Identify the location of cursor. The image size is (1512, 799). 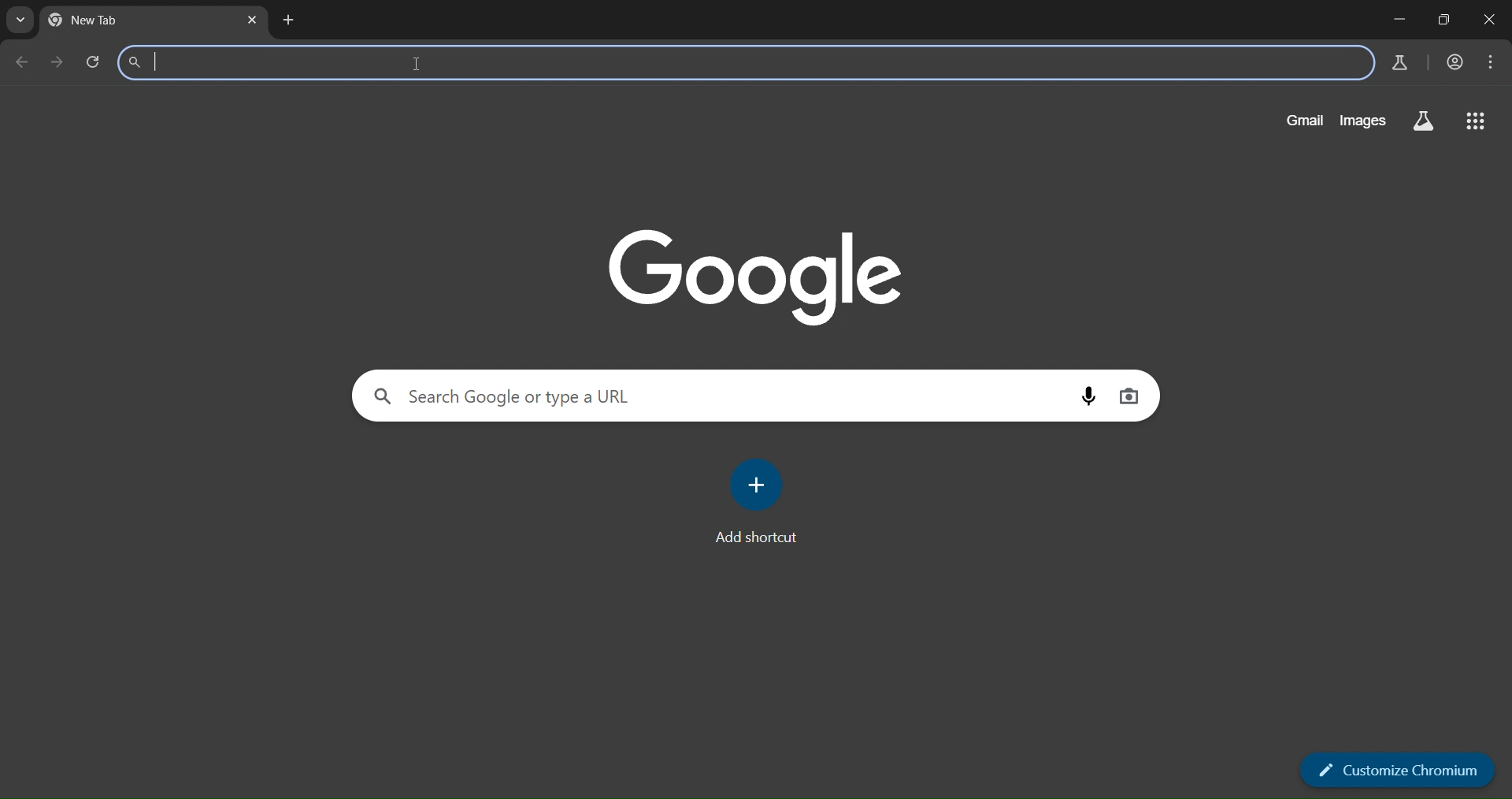
(416, 71).